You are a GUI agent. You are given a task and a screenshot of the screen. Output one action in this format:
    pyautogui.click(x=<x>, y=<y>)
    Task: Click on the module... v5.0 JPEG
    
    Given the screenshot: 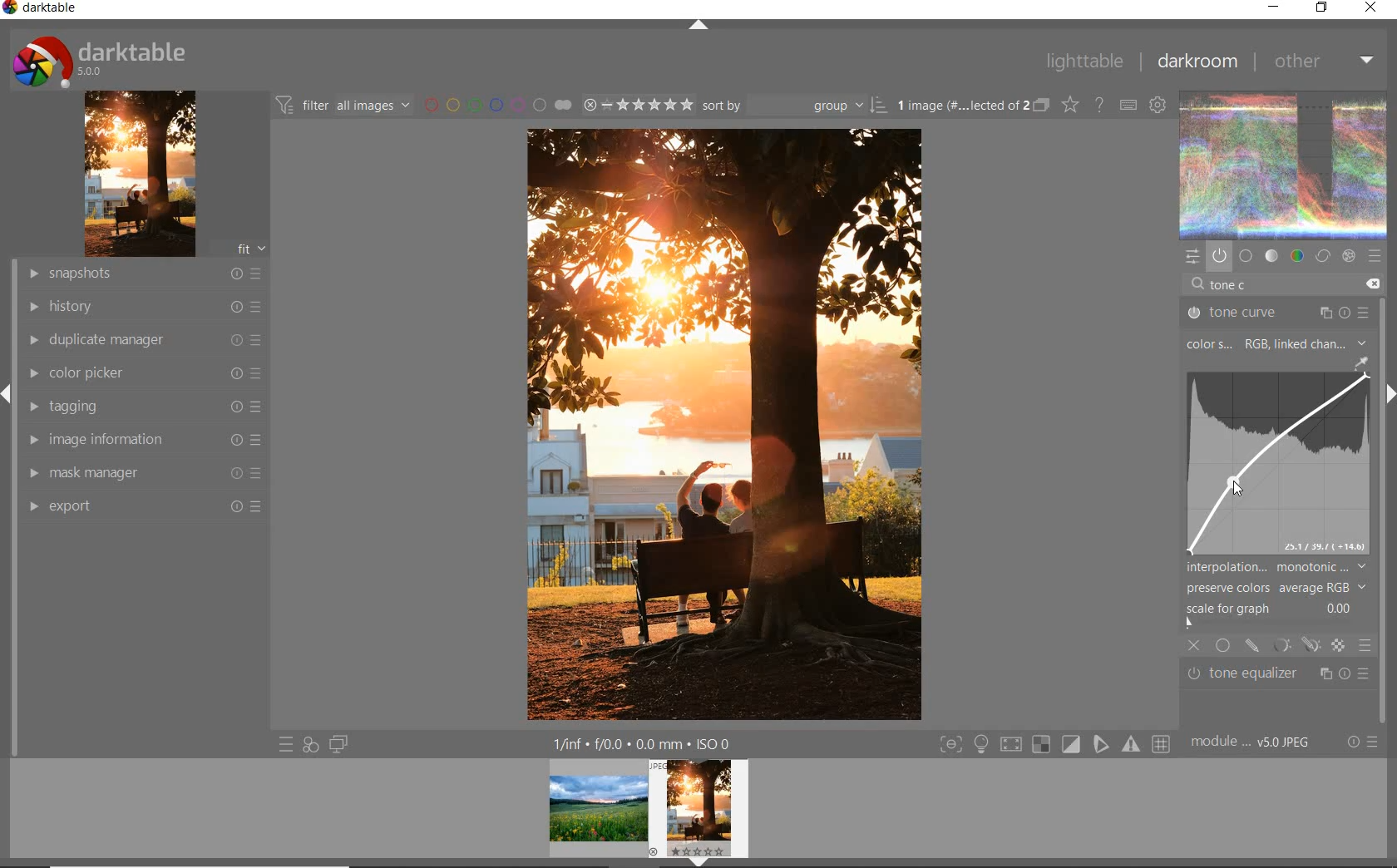 What is the action you would take?
    pyautogui.click(x=1253, y=742)
    